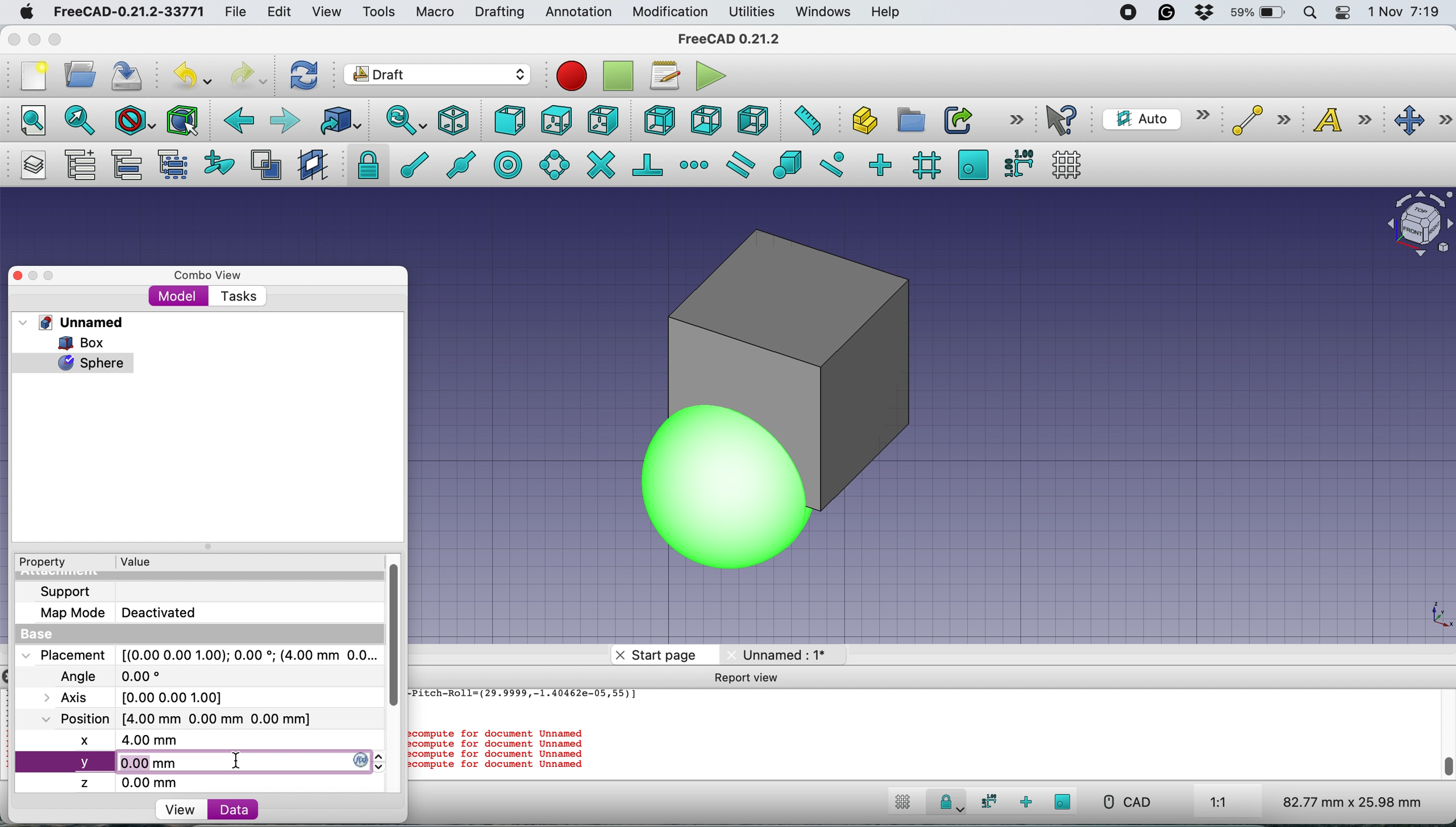  I want to click on snap lock, so click(946, 804).